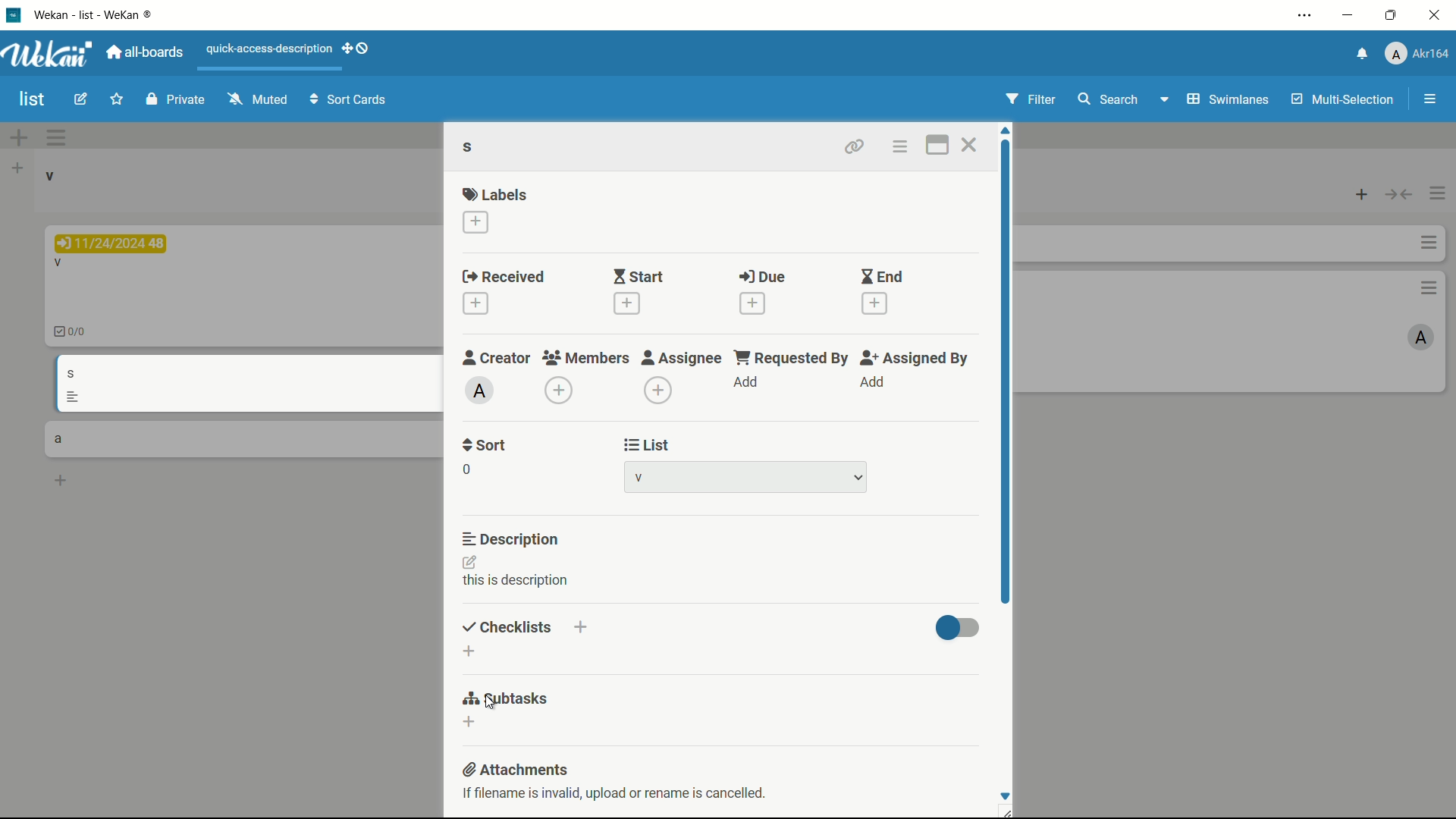 Image resolution: width=1456 pixels, height=819 pixels. What do you see at coordinates (96, 14) in the screenshot?
I see `Wekan - WeKan ®` at bounding box center [96, 14].